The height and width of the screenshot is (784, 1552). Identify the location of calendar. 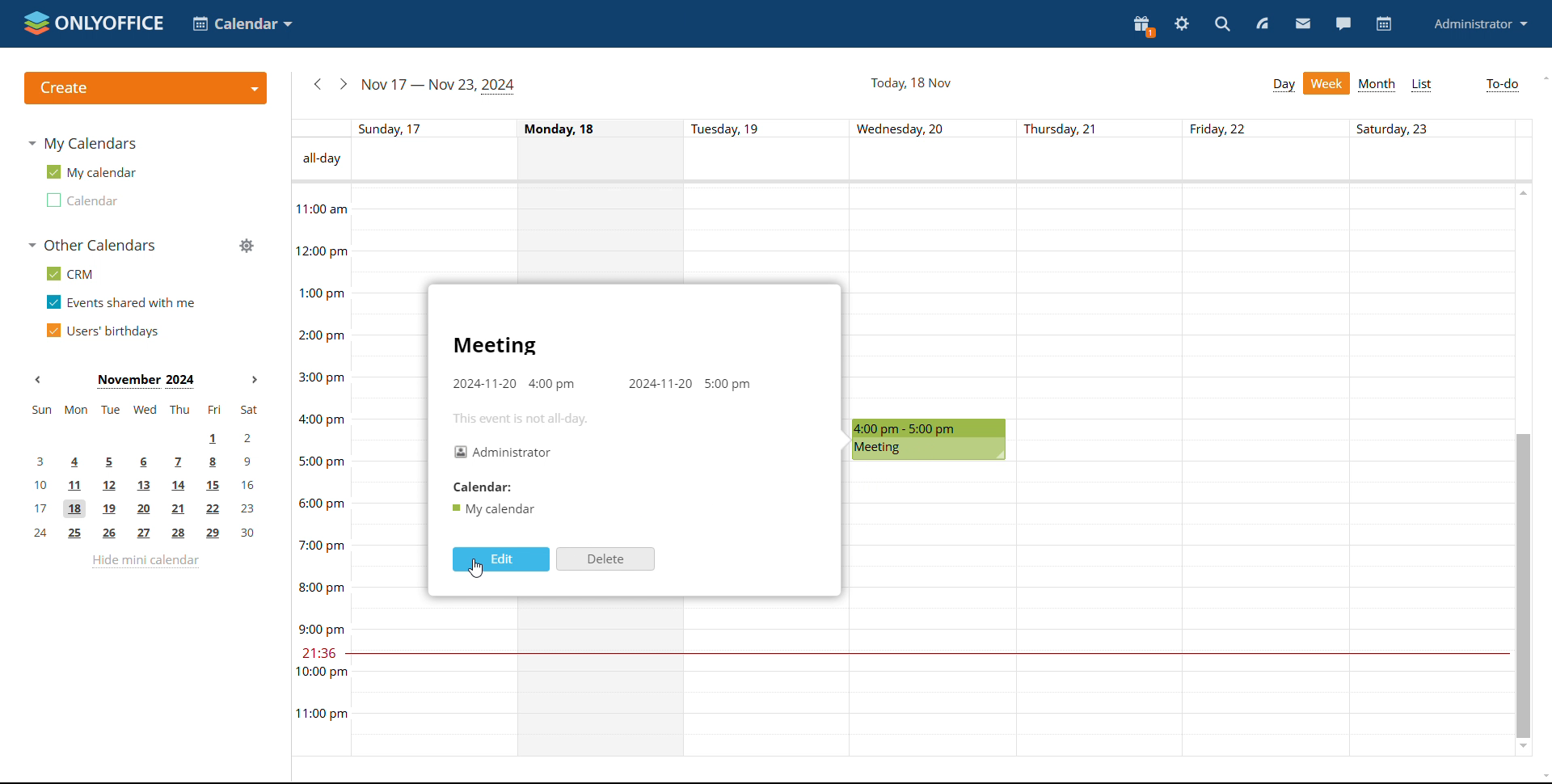
(1384, 24).